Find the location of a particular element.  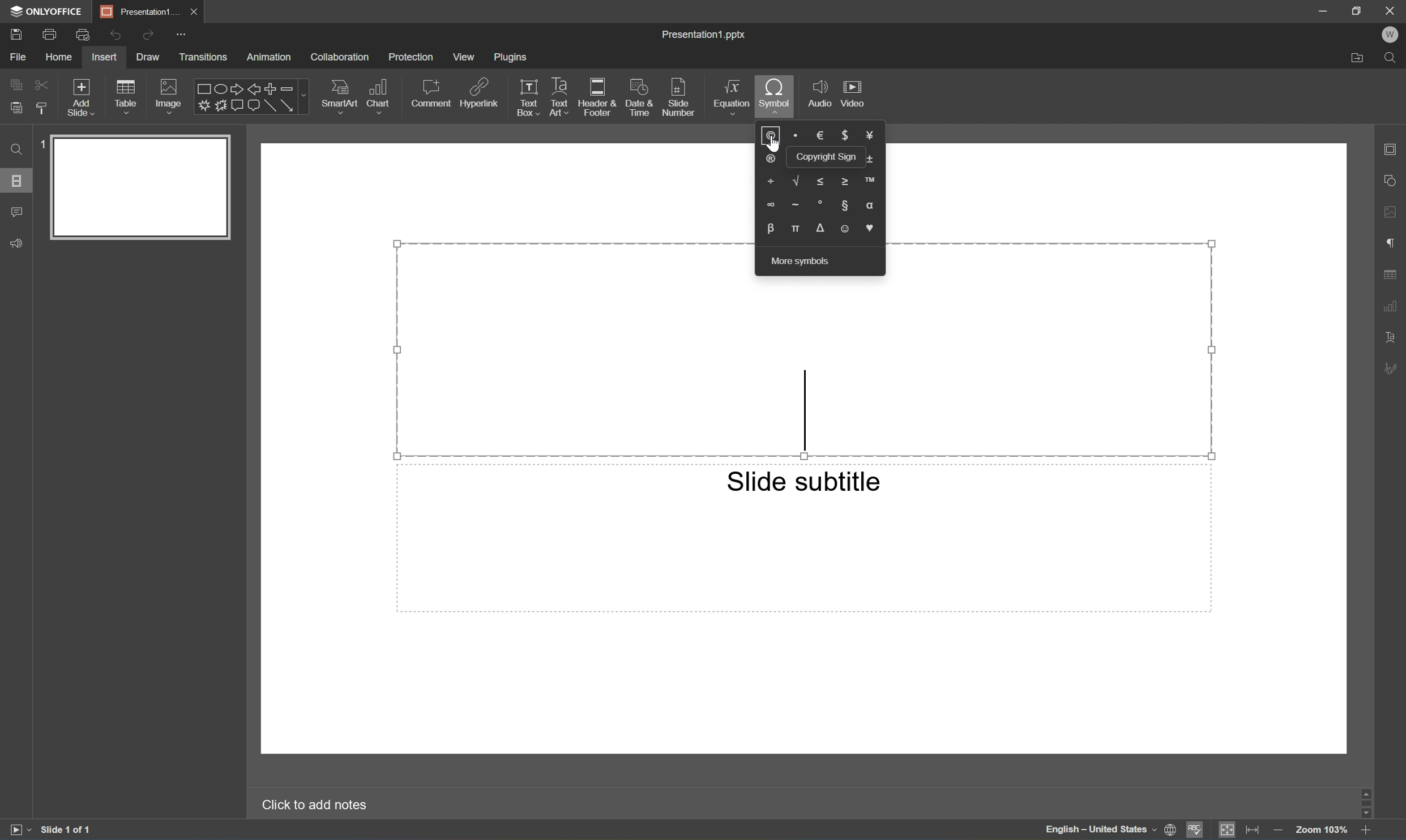

Zoom in is located at coordinates (1365, 832).